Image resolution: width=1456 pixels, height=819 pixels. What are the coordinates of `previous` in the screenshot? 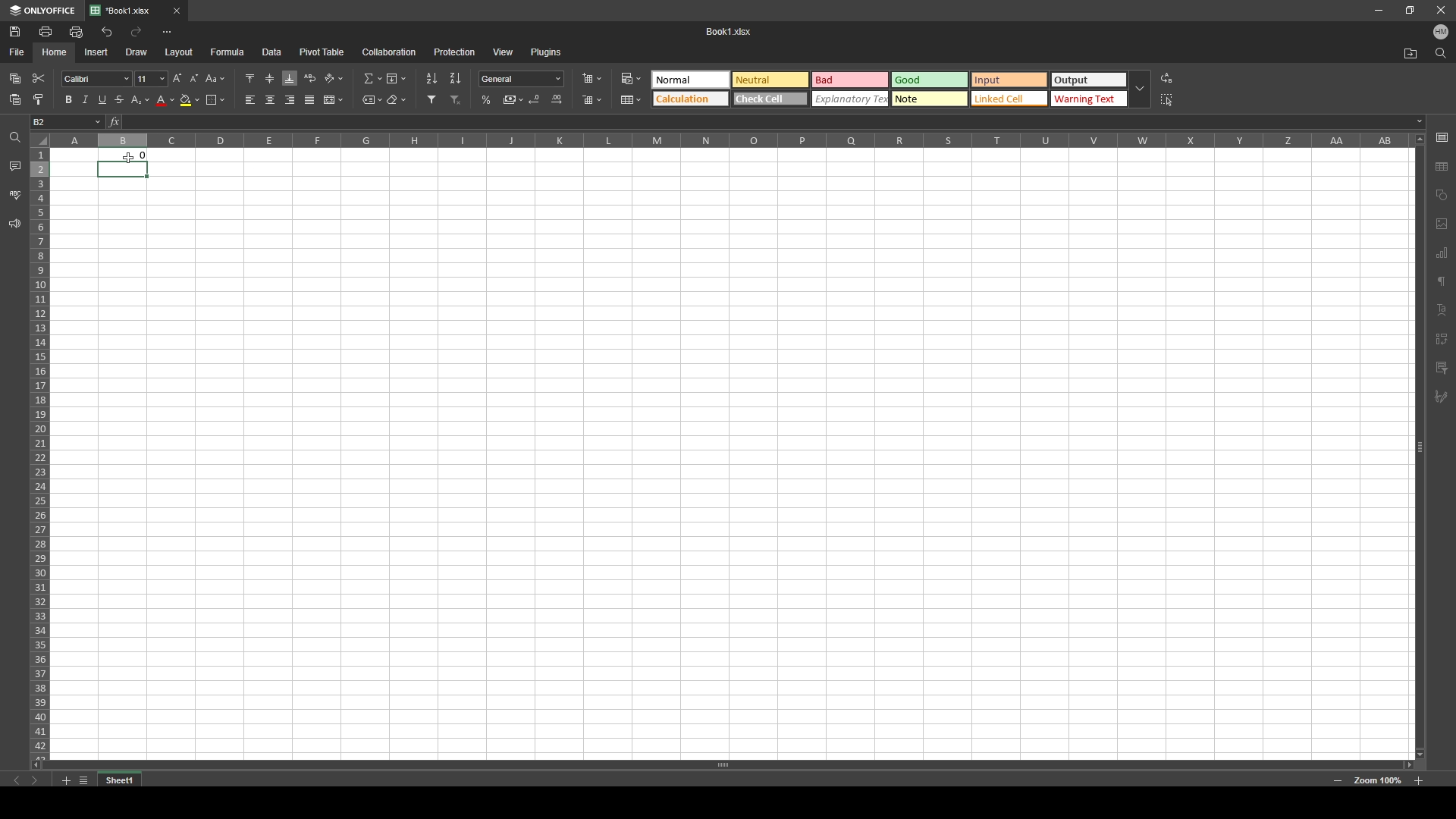 It's located at (17, 780).